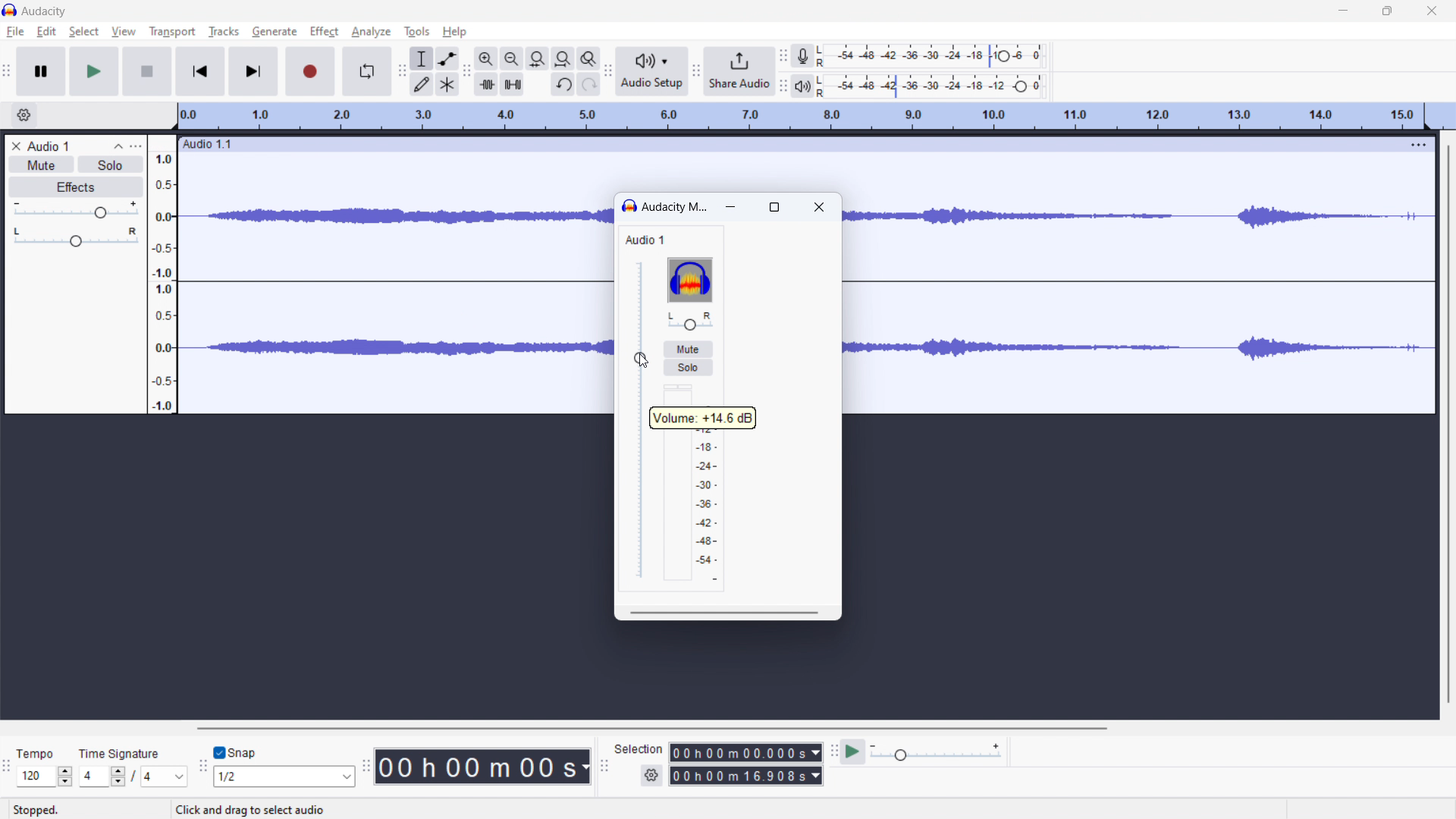 This screenshot has width=1456, height=819. What do you see at coordinates (800, 117) in the screenshot?
I see `timeline` at bounding box center [800, 117].